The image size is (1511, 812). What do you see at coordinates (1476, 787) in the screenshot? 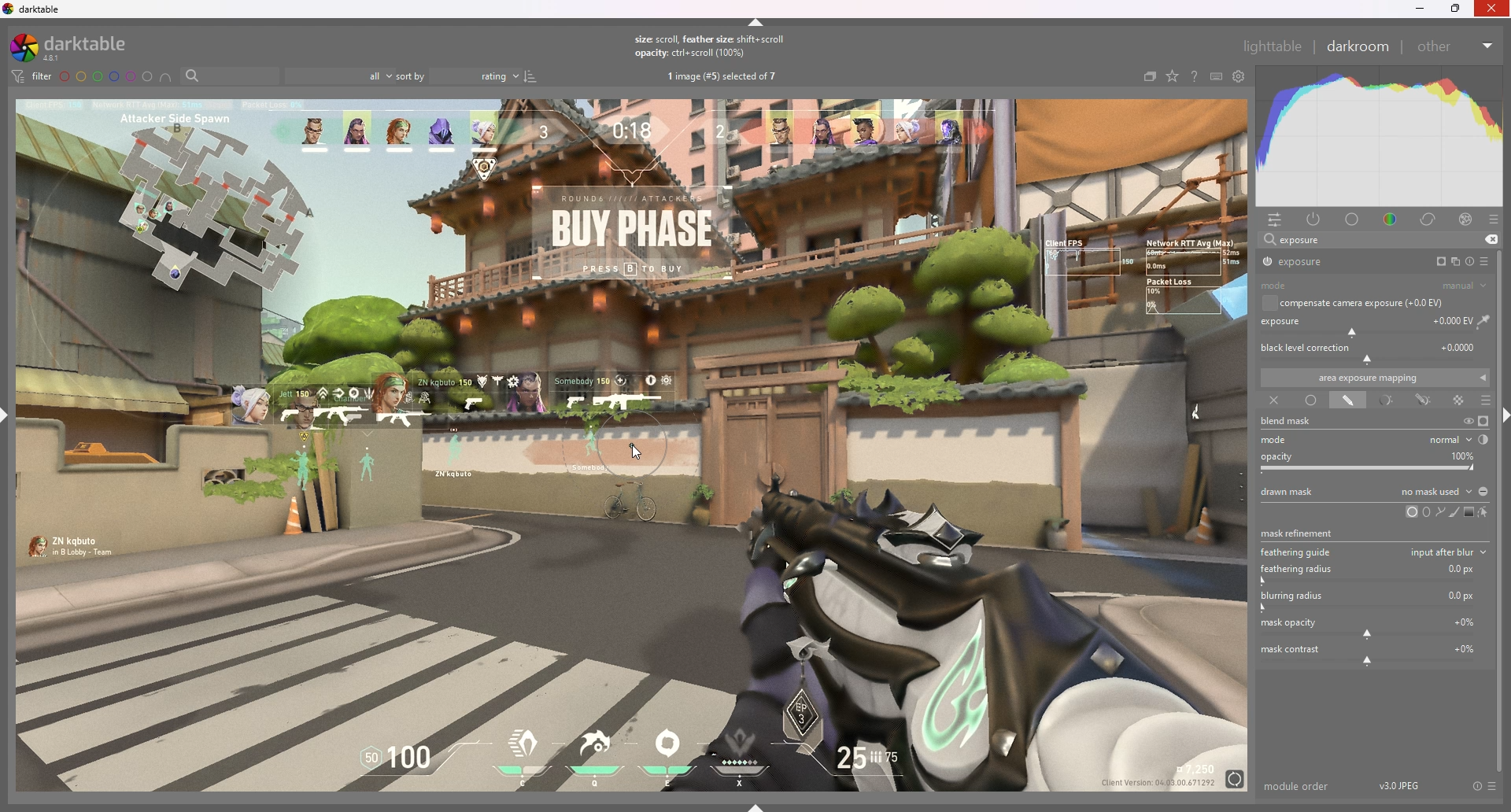
I see `reset` at bounding box center [1476, 787].